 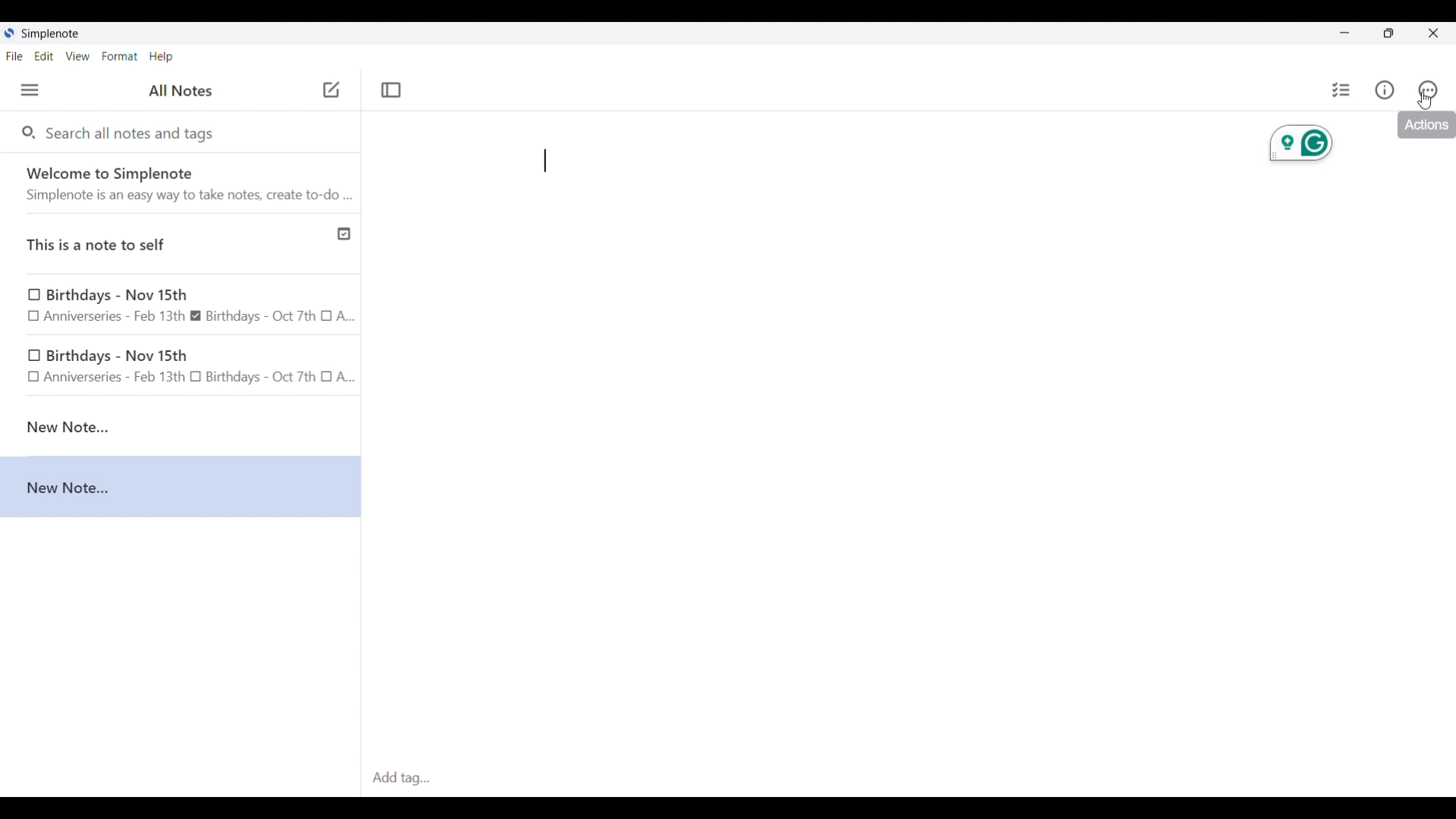 I want to click on File menu, so click(x=14, y=55).